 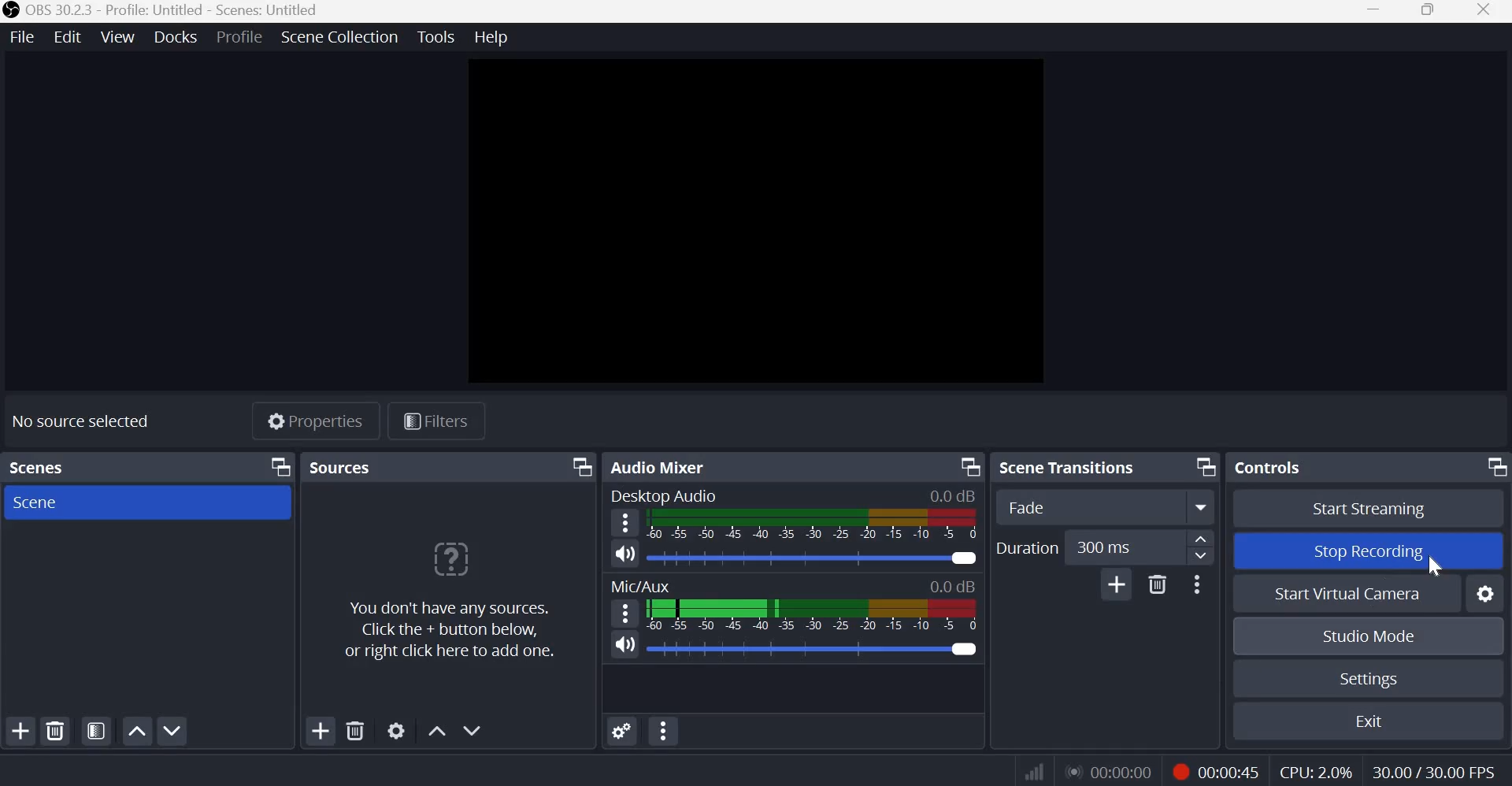 I want to click on Dock Options icon, so click(x=281, y=467).